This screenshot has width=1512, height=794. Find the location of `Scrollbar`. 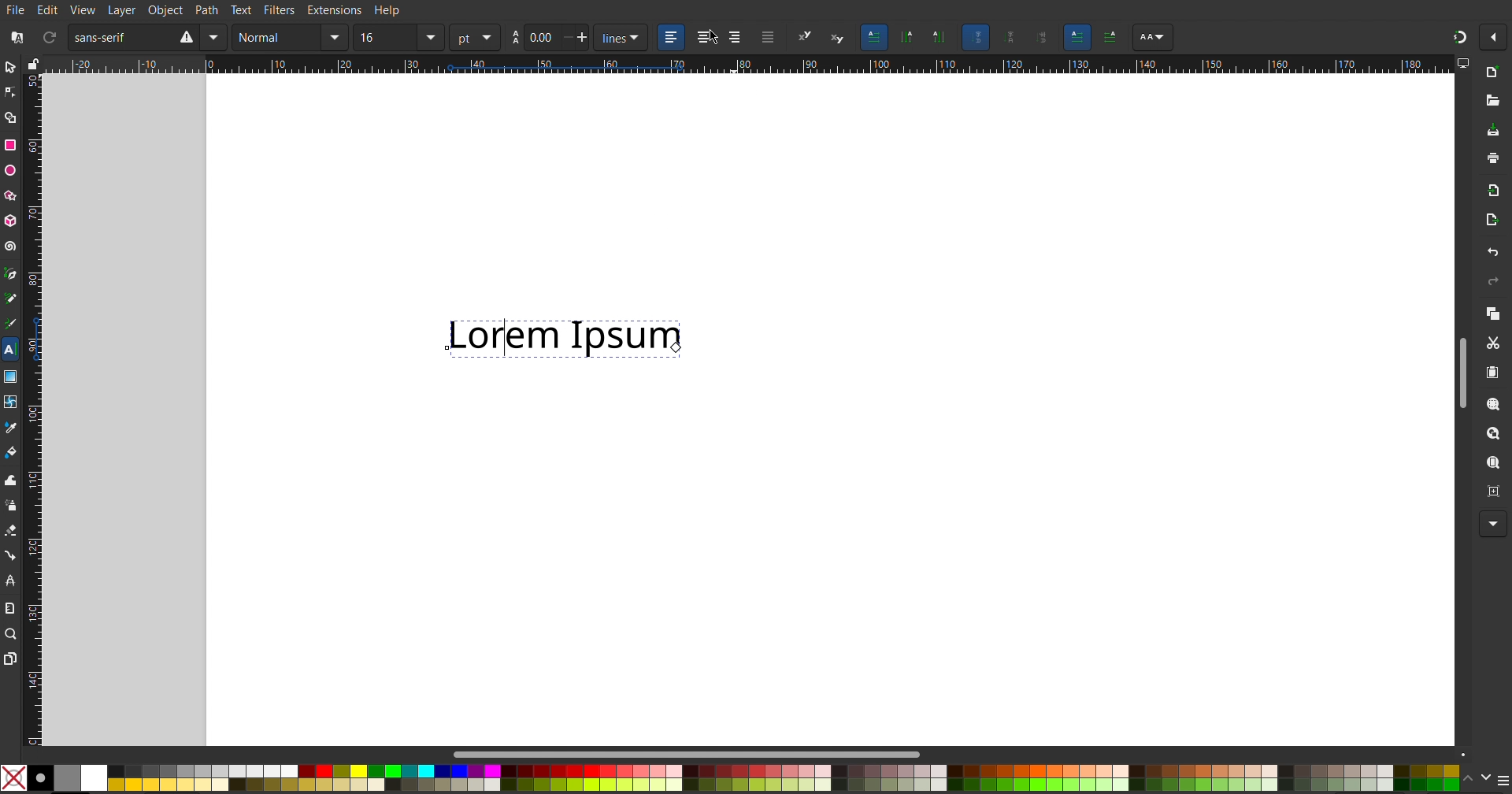

Scrollbar is located at coordinates (691, 753).